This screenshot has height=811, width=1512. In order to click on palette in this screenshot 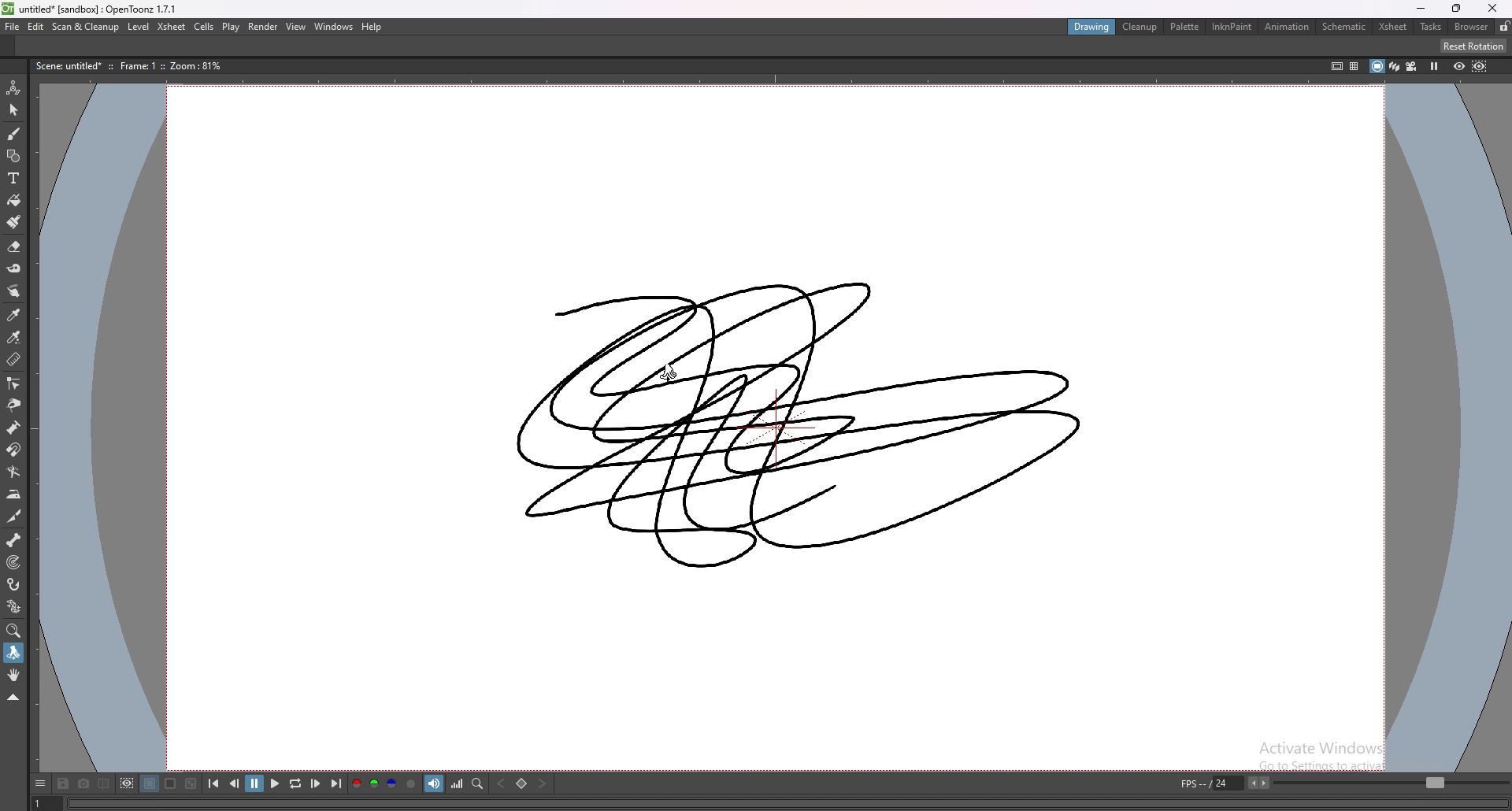, I will do `click(1185, 28)`.